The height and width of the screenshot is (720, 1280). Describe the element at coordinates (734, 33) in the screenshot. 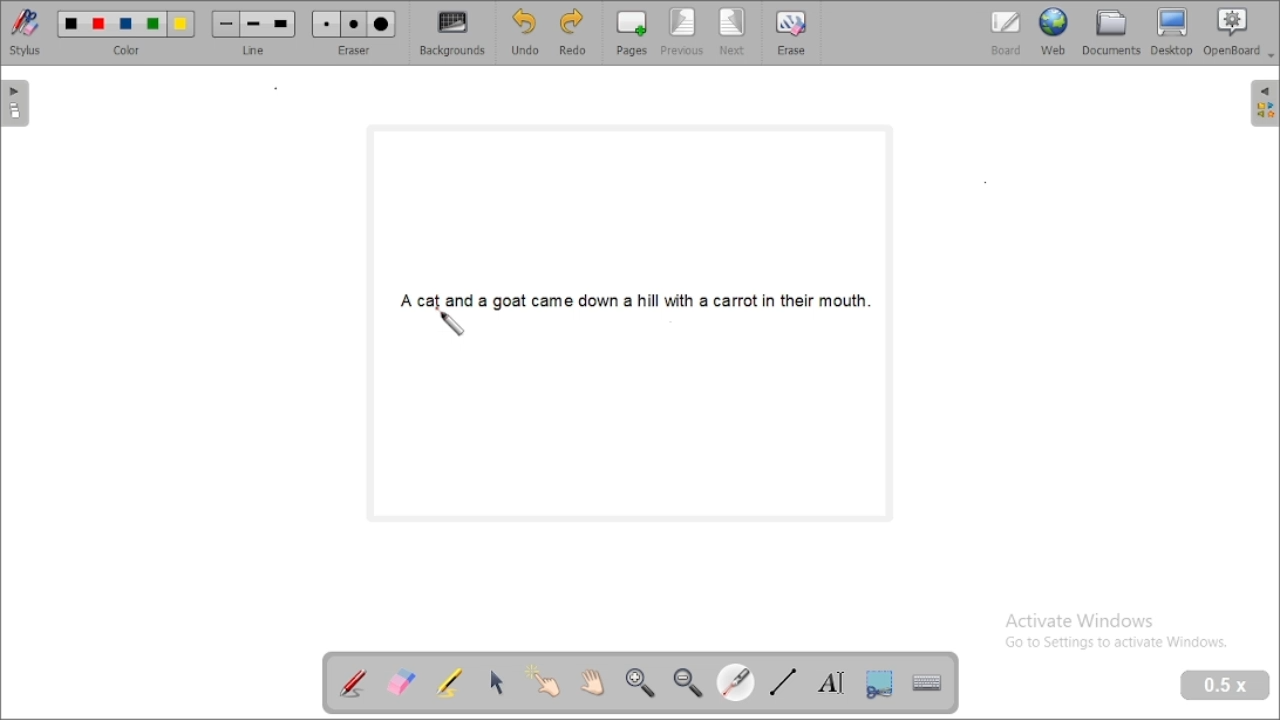

I see `next` at that location.